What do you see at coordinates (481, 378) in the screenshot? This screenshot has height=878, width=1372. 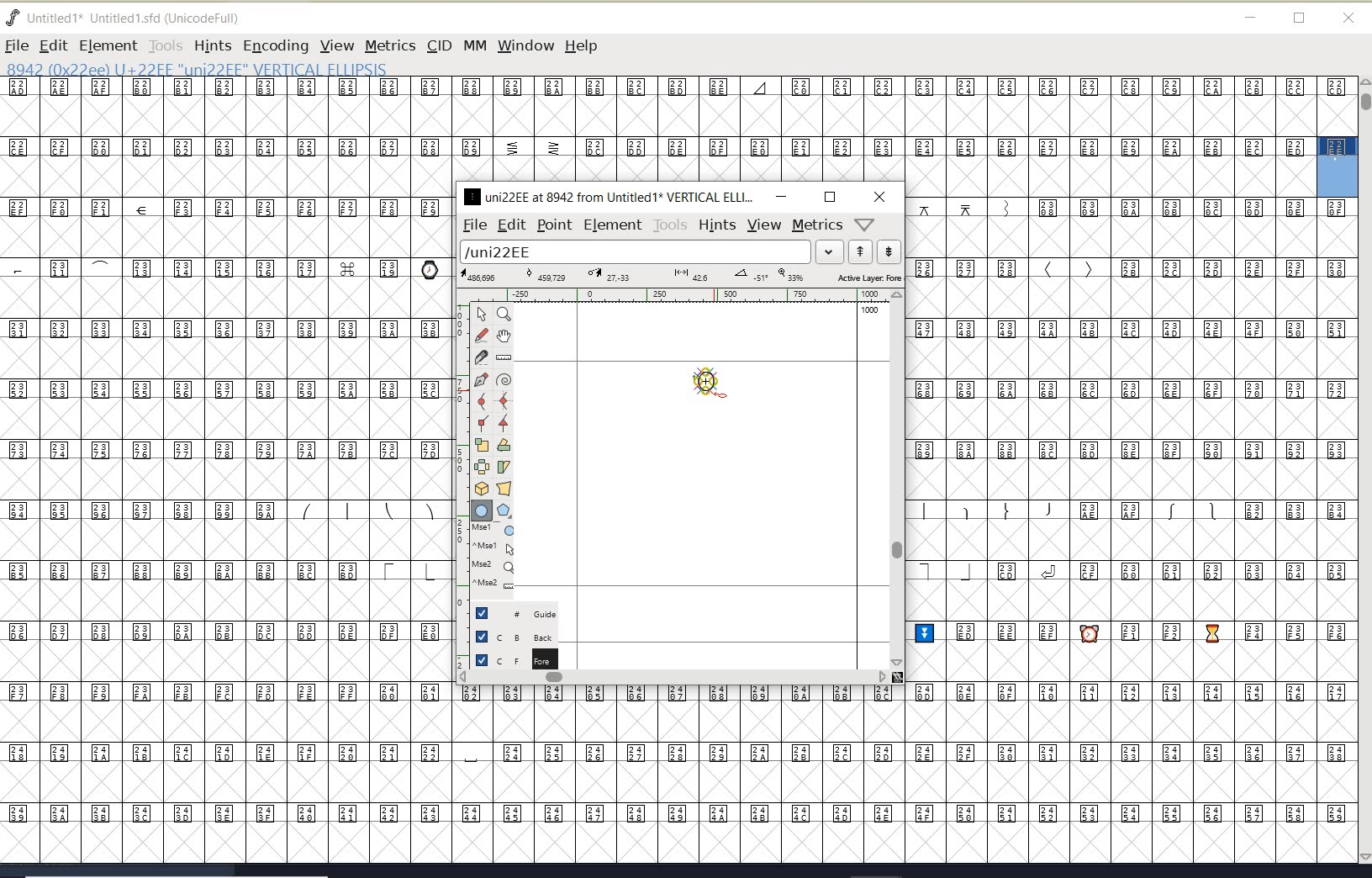 I see `add a point, then drag out its control points` at bounding box center [481, 378].